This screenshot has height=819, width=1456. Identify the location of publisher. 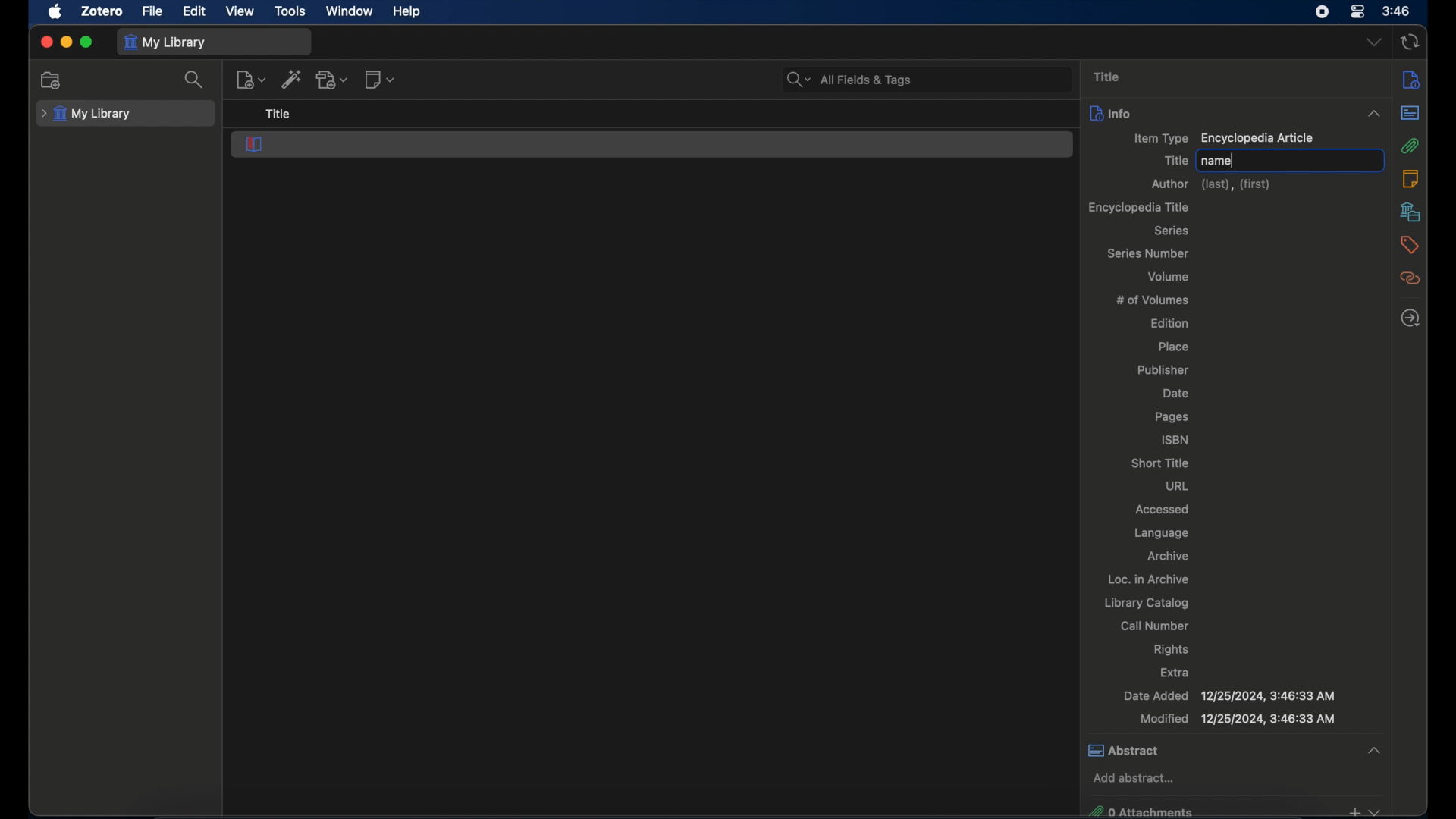
(1165, 371).